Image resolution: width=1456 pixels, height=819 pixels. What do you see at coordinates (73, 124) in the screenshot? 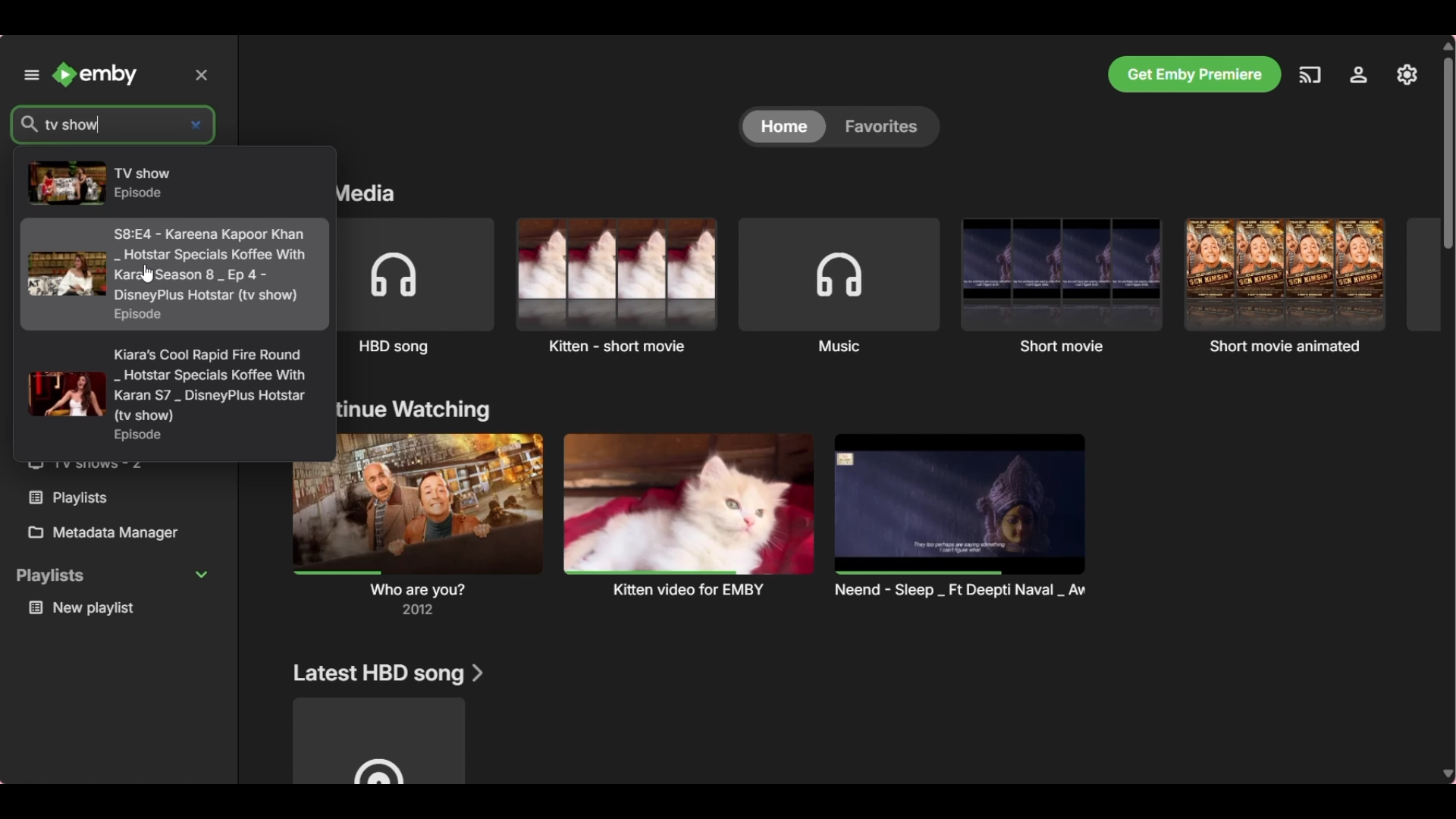
I see `Search query types in` at bounding box center [73, 124].